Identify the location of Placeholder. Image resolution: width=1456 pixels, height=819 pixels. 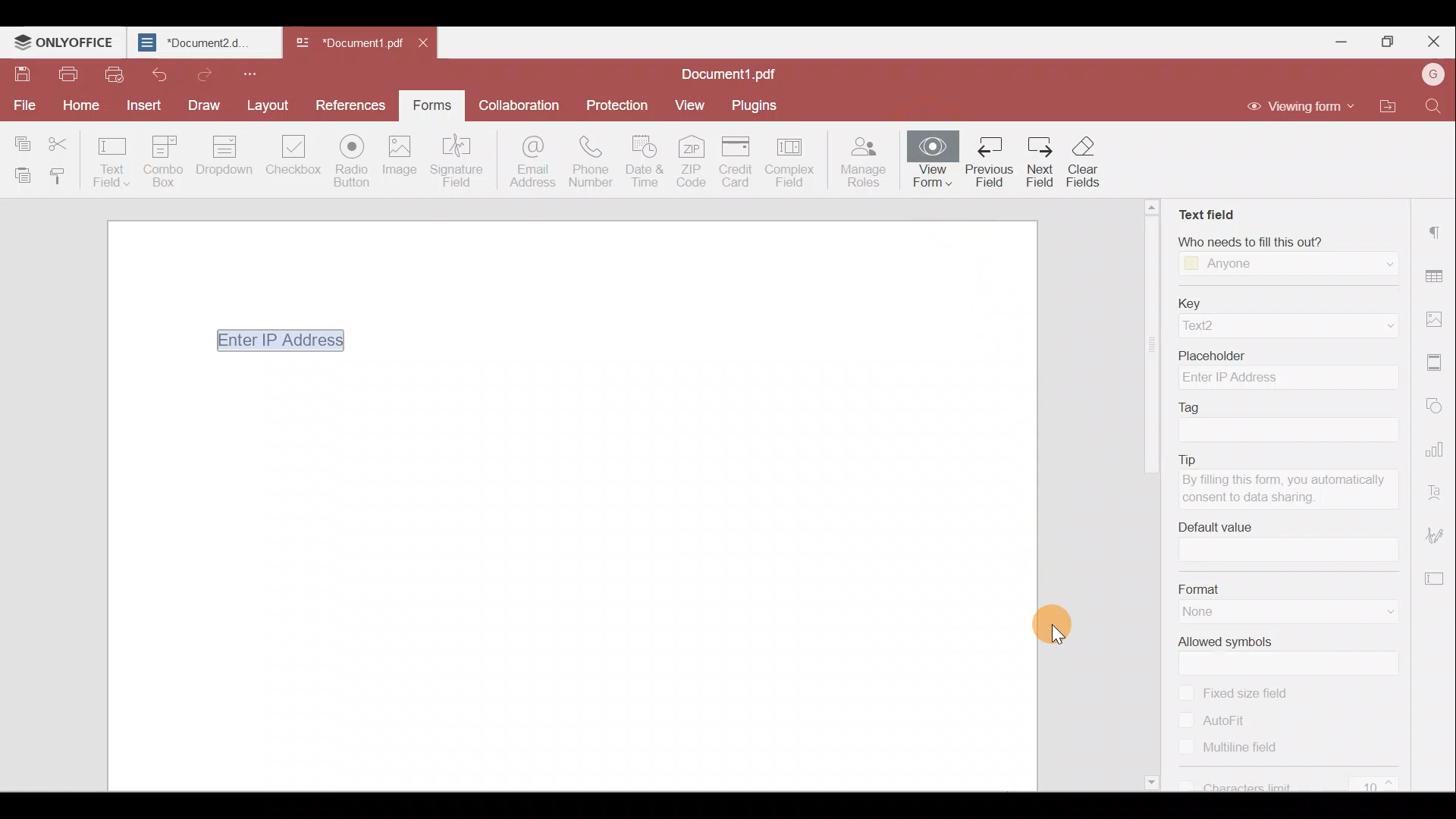
(1287, 353).